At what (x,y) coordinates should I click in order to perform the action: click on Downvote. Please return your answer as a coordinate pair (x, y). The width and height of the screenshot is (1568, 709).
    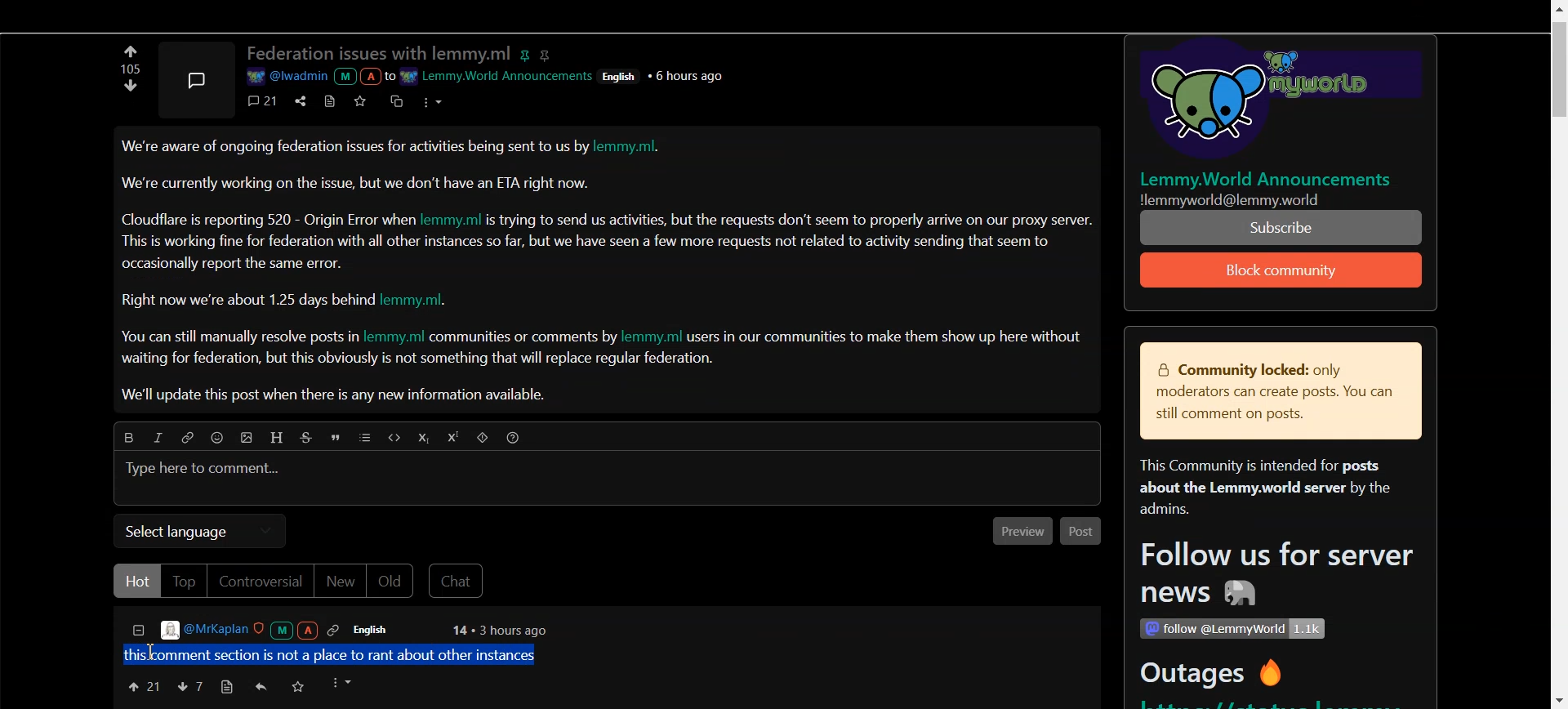
    Looking at the image, I should click on (189, 686).